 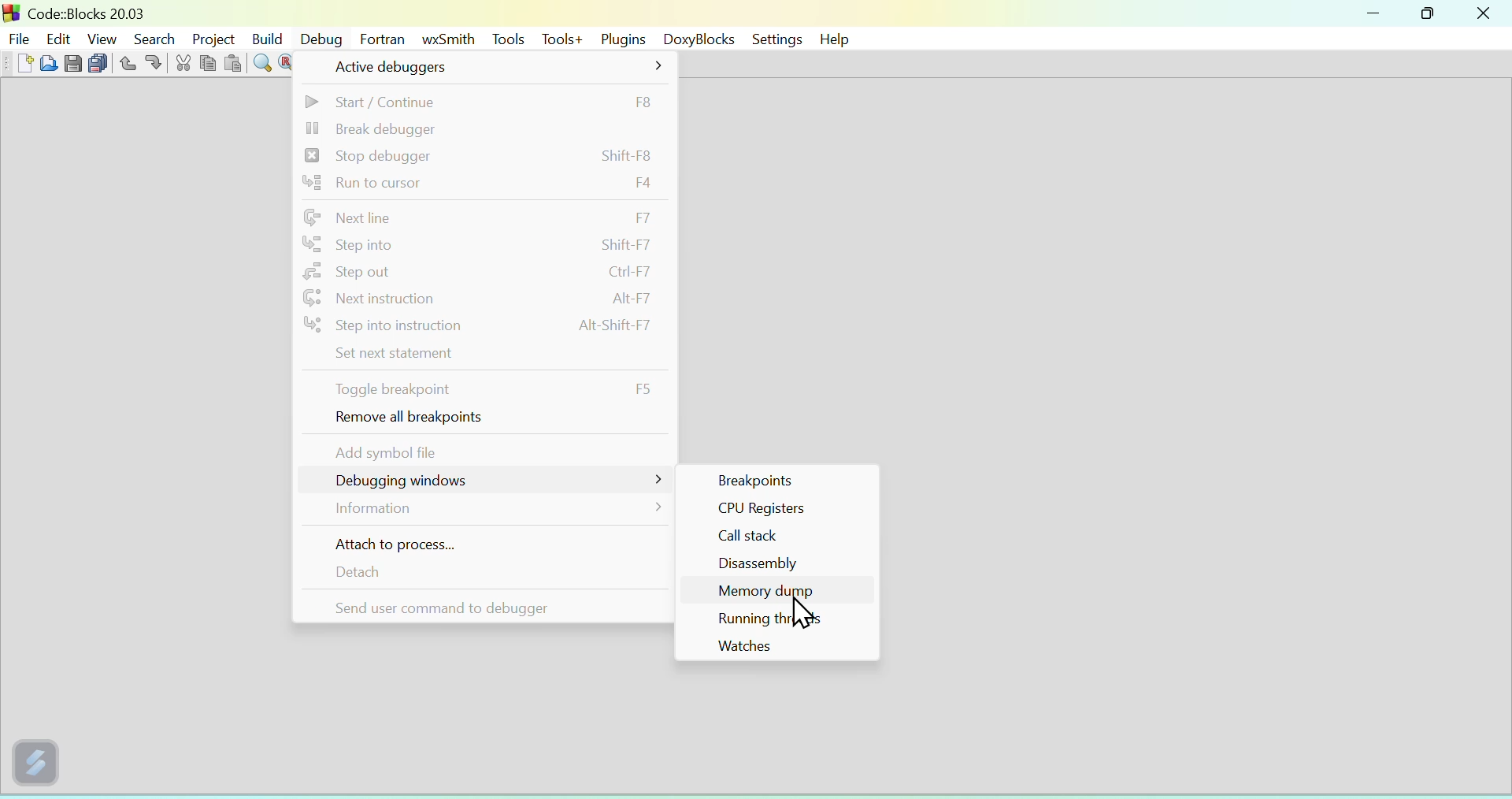 I want to click on run to cursor, so click(x=484, y=184).